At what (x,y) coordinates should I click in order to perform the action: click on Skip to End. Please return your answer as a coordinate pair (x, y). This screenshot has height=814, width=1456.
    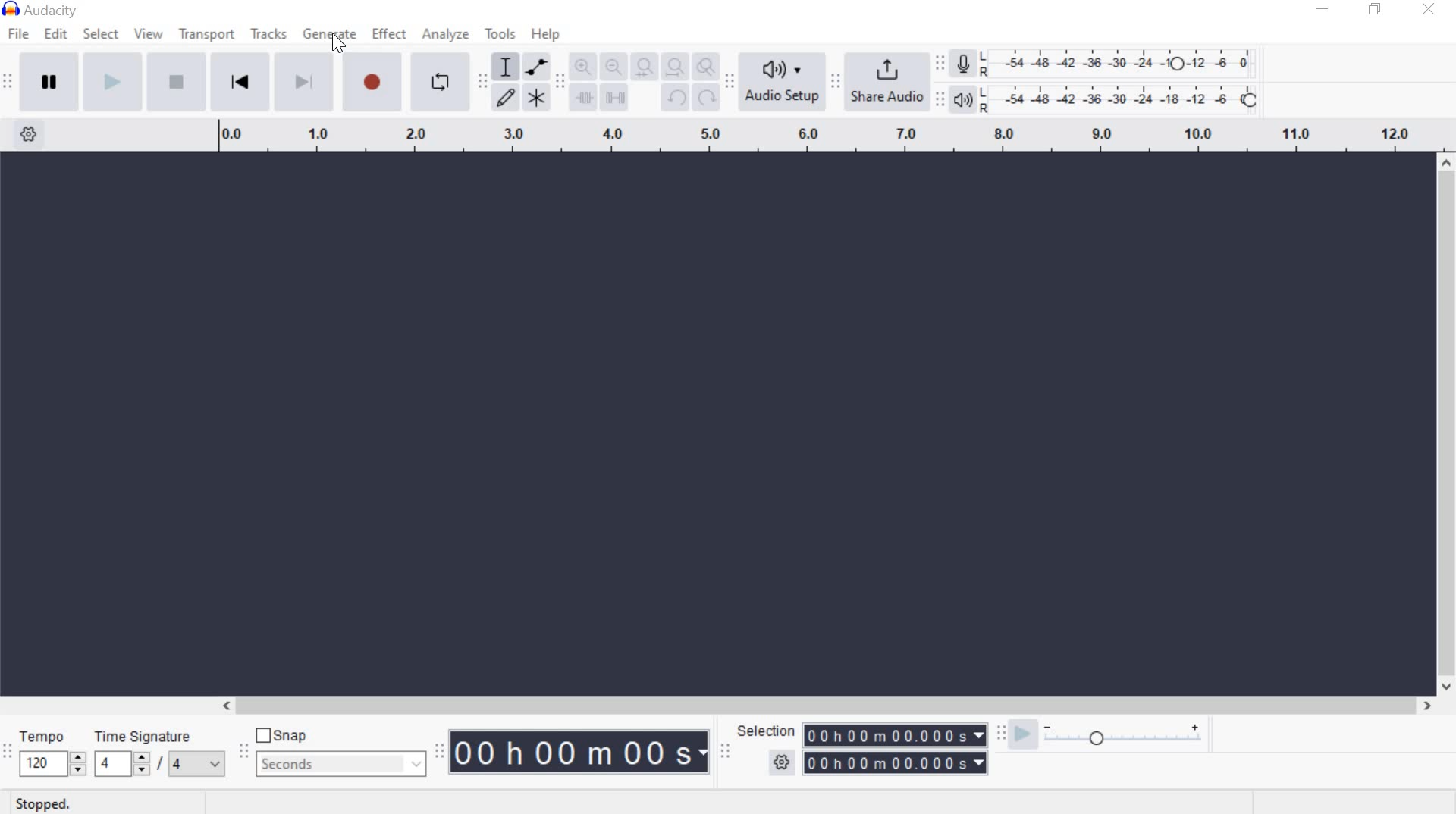
    Looking at the image, I should click on (304, 81).